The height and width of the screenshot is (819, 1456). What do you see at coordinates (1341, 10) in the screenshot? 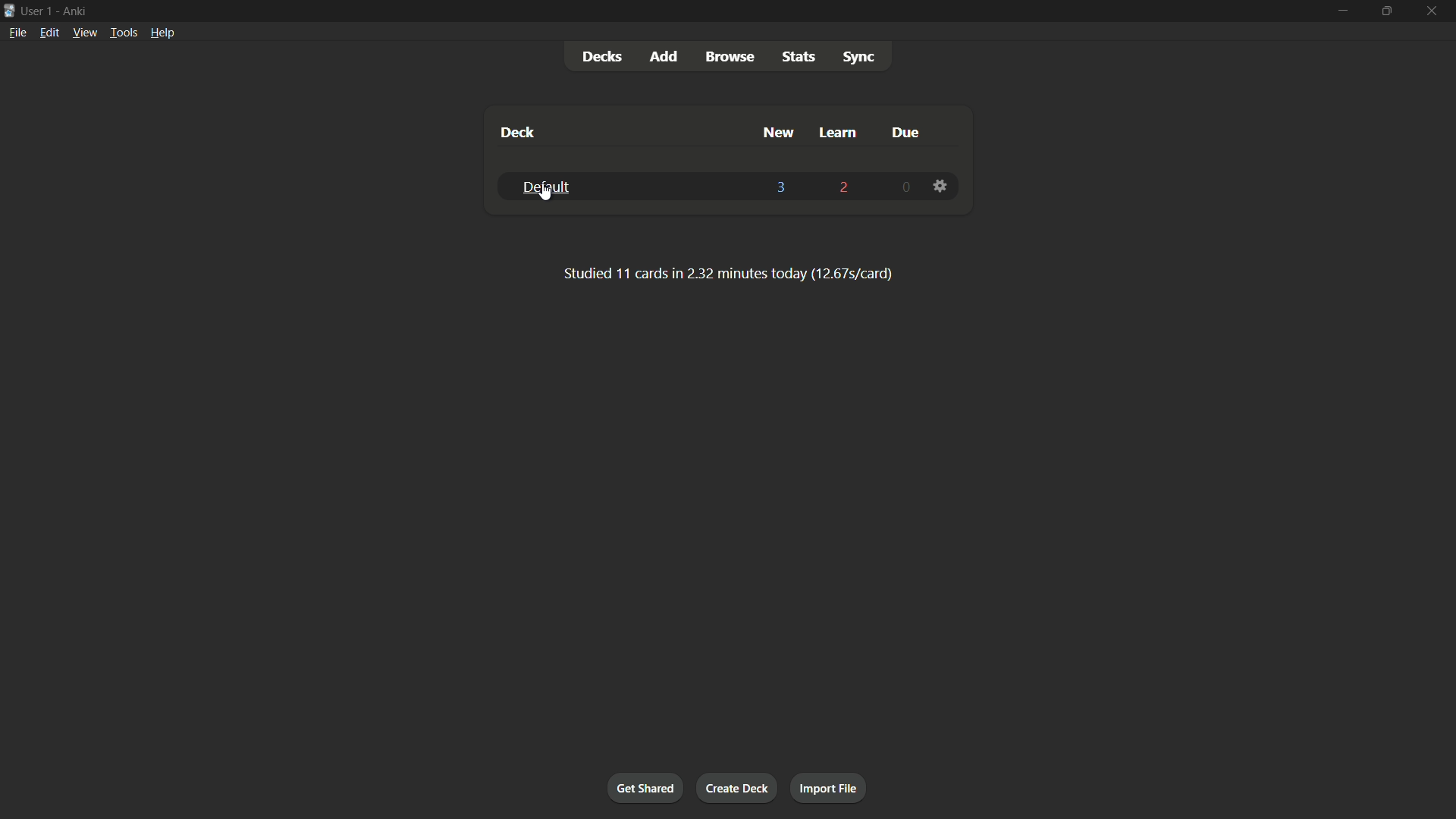
I see `minimize` at bounding box center [1341, 10].